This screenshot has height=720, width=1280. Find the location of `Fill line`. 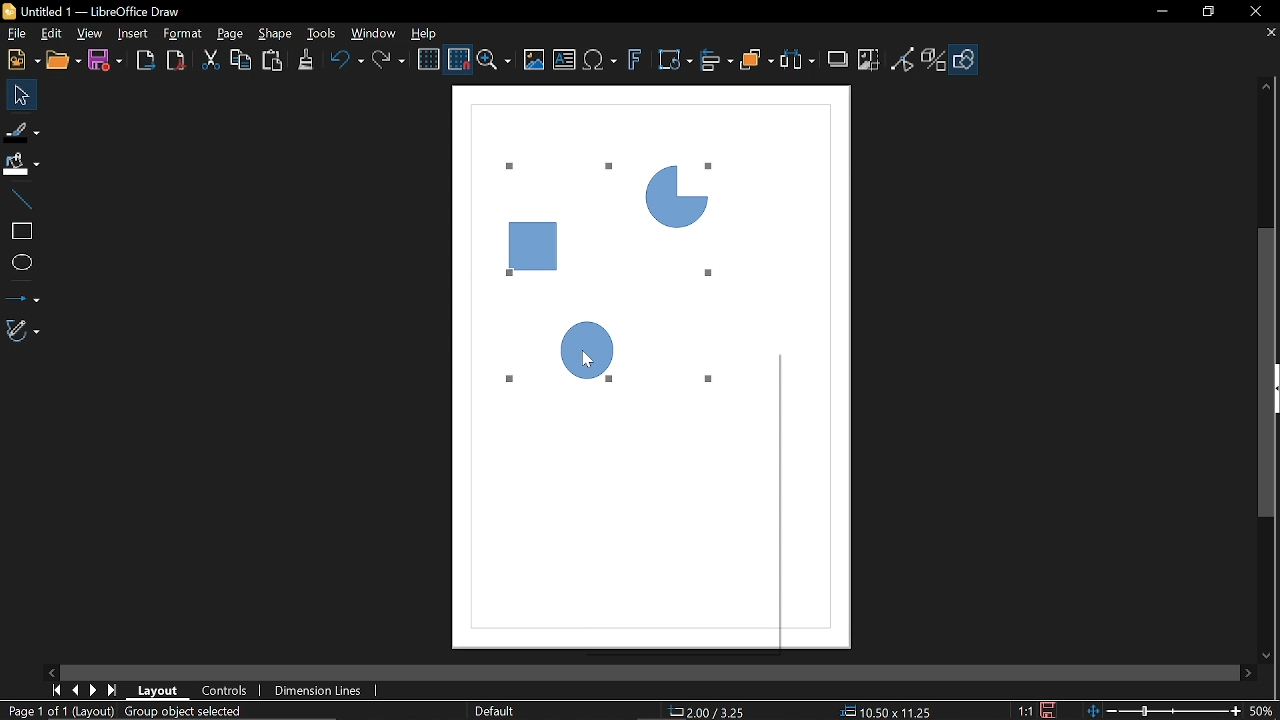

Fill line is located at coordinates (22, 128).